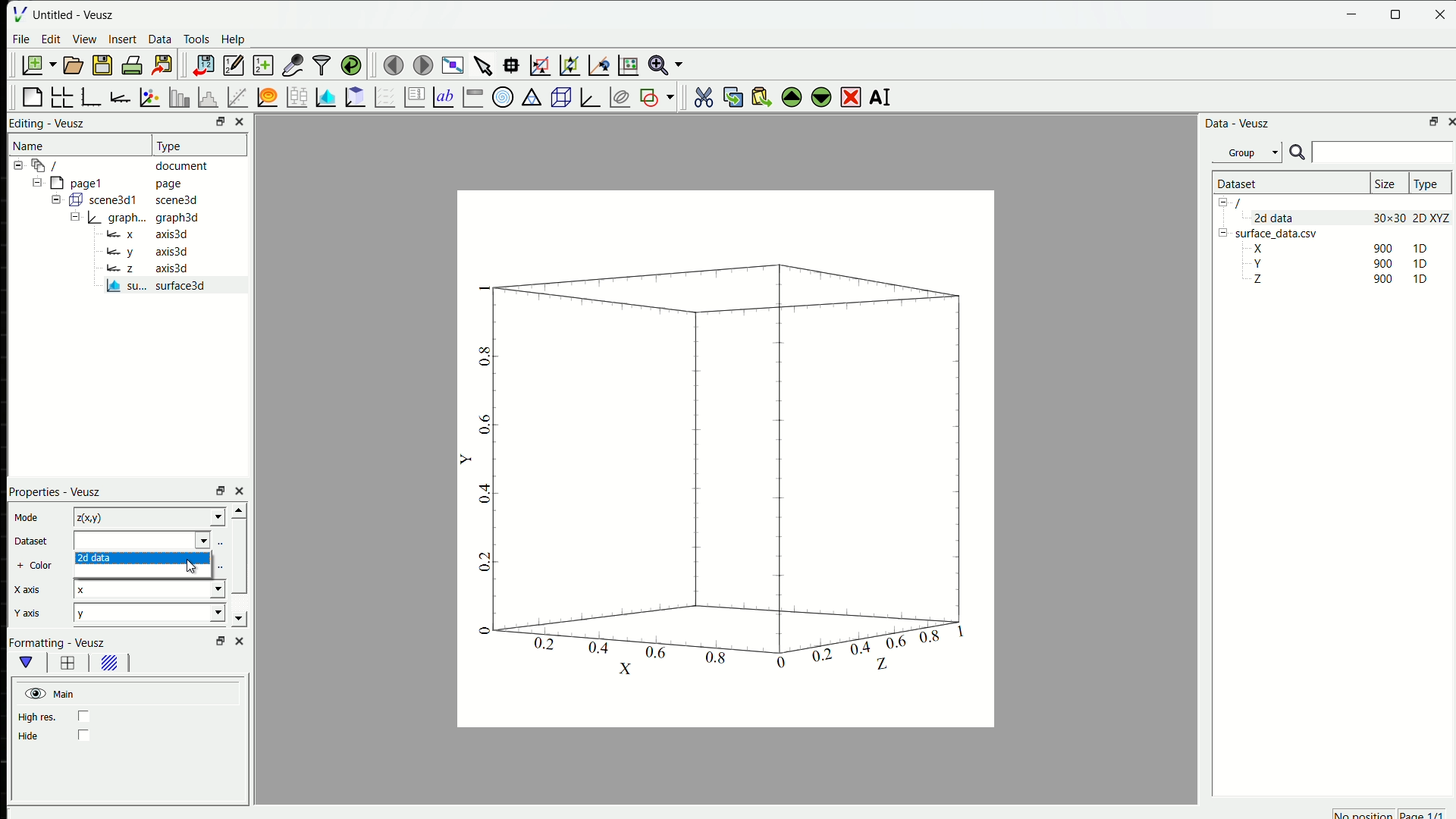 This screenshot has height=819, width=1456. Describe the element at coordinates (1433, 121) in the screenshot. I see `open in separate window` at that location.